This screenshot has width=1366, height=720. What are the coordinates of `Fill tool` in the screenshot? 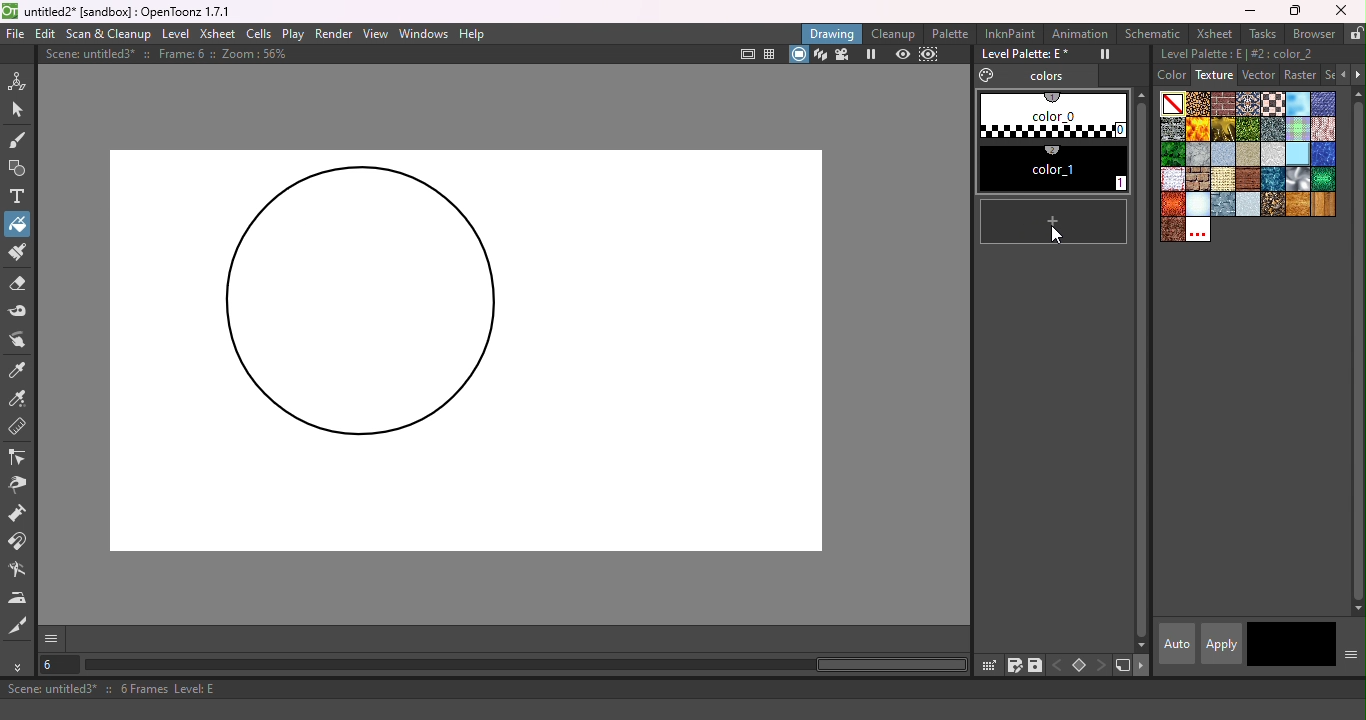 It's located at (17, 227).